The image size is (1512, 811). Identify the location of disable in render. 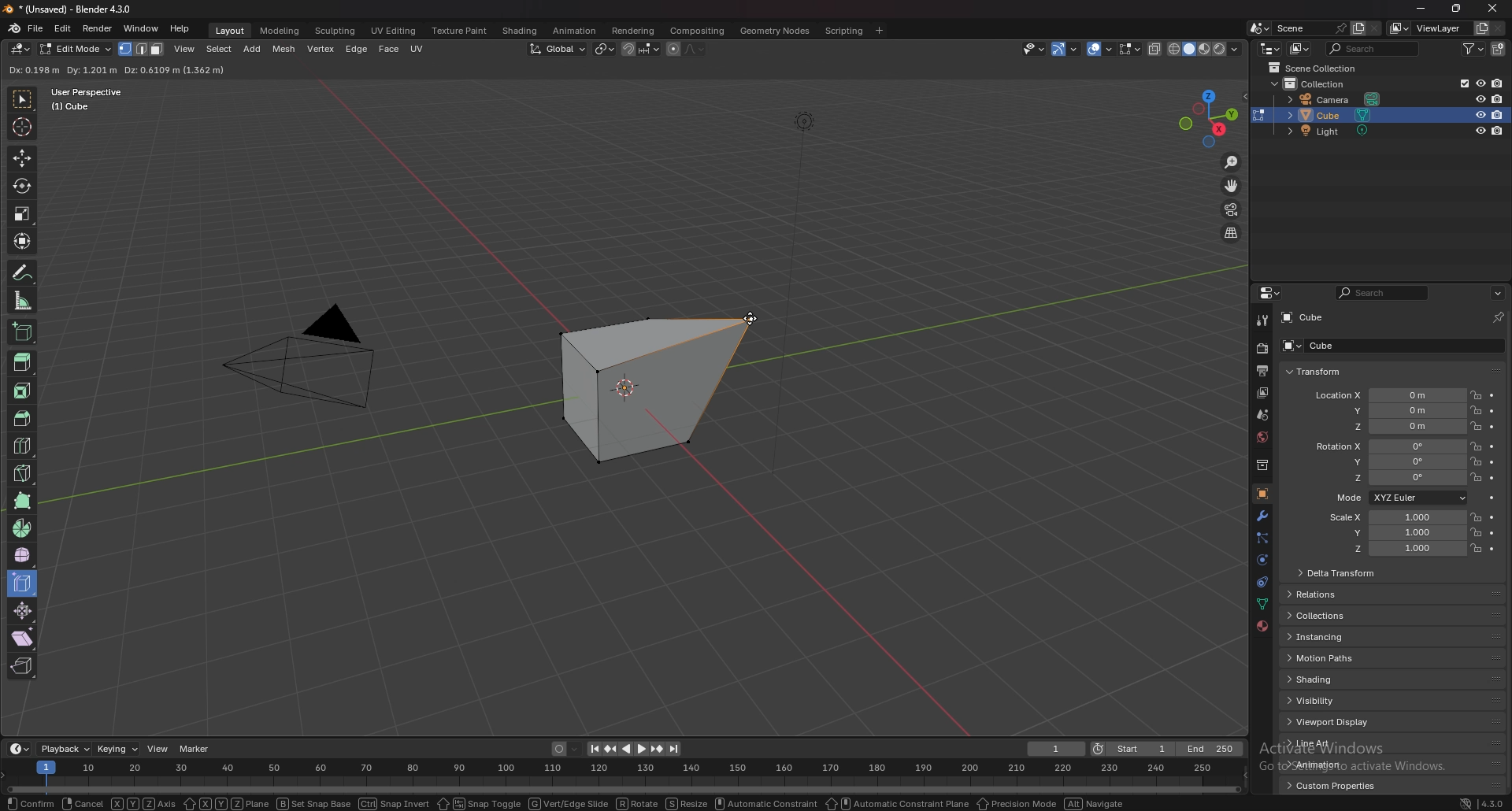
(1498, 131).